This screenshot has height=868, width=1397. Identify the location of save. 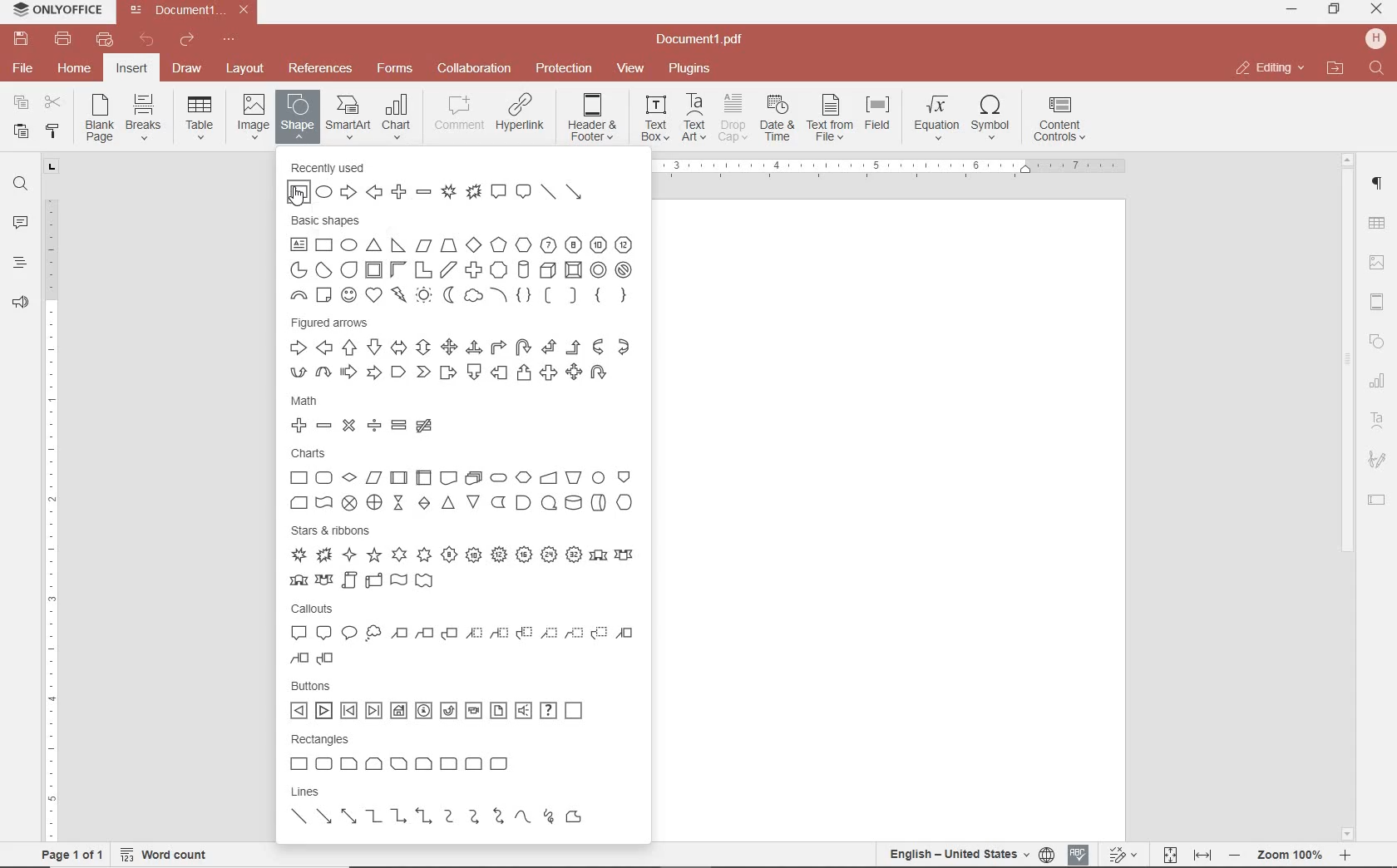
(19, 39).